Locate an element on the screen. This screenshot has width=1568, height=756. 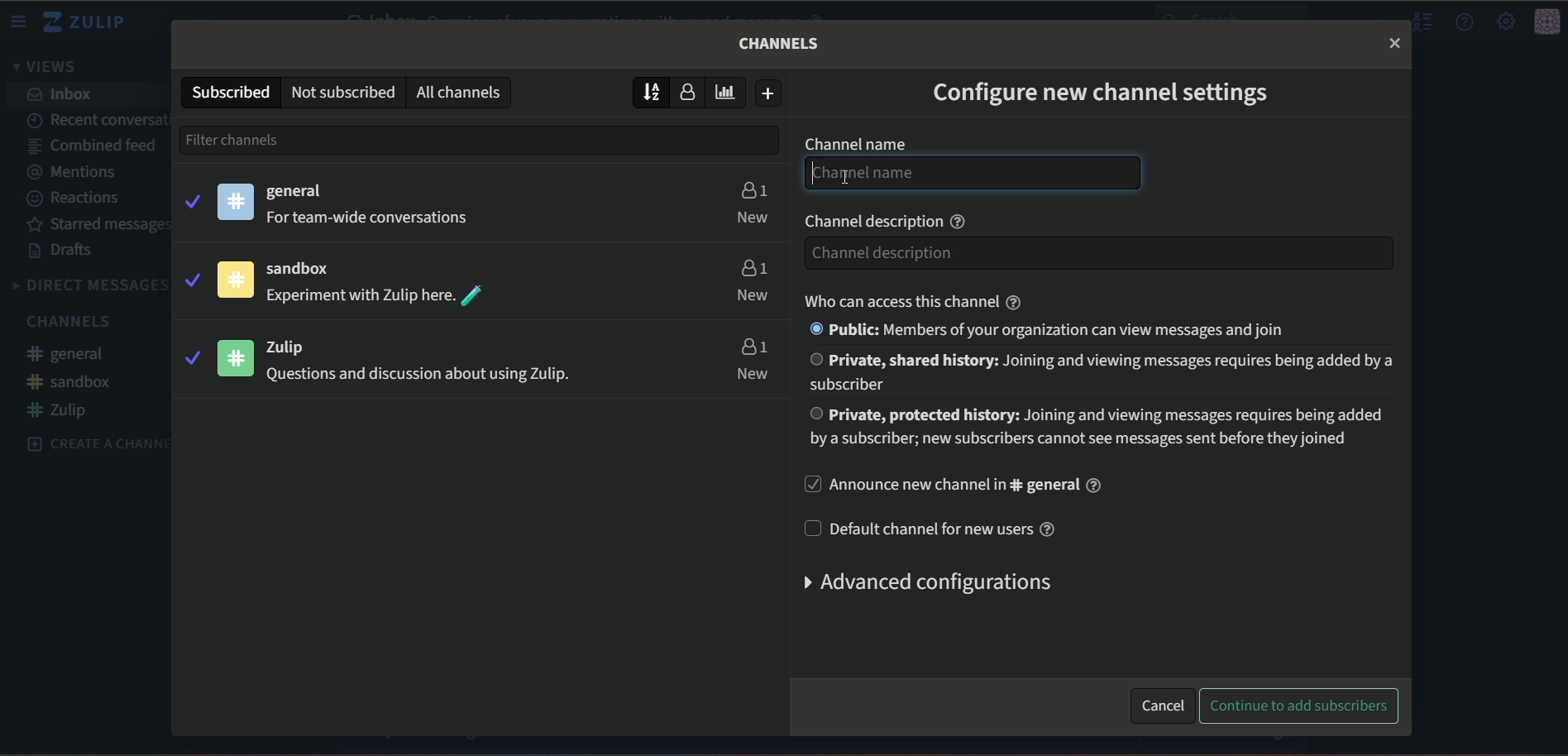
inbox is located at coordinates (62, 94).